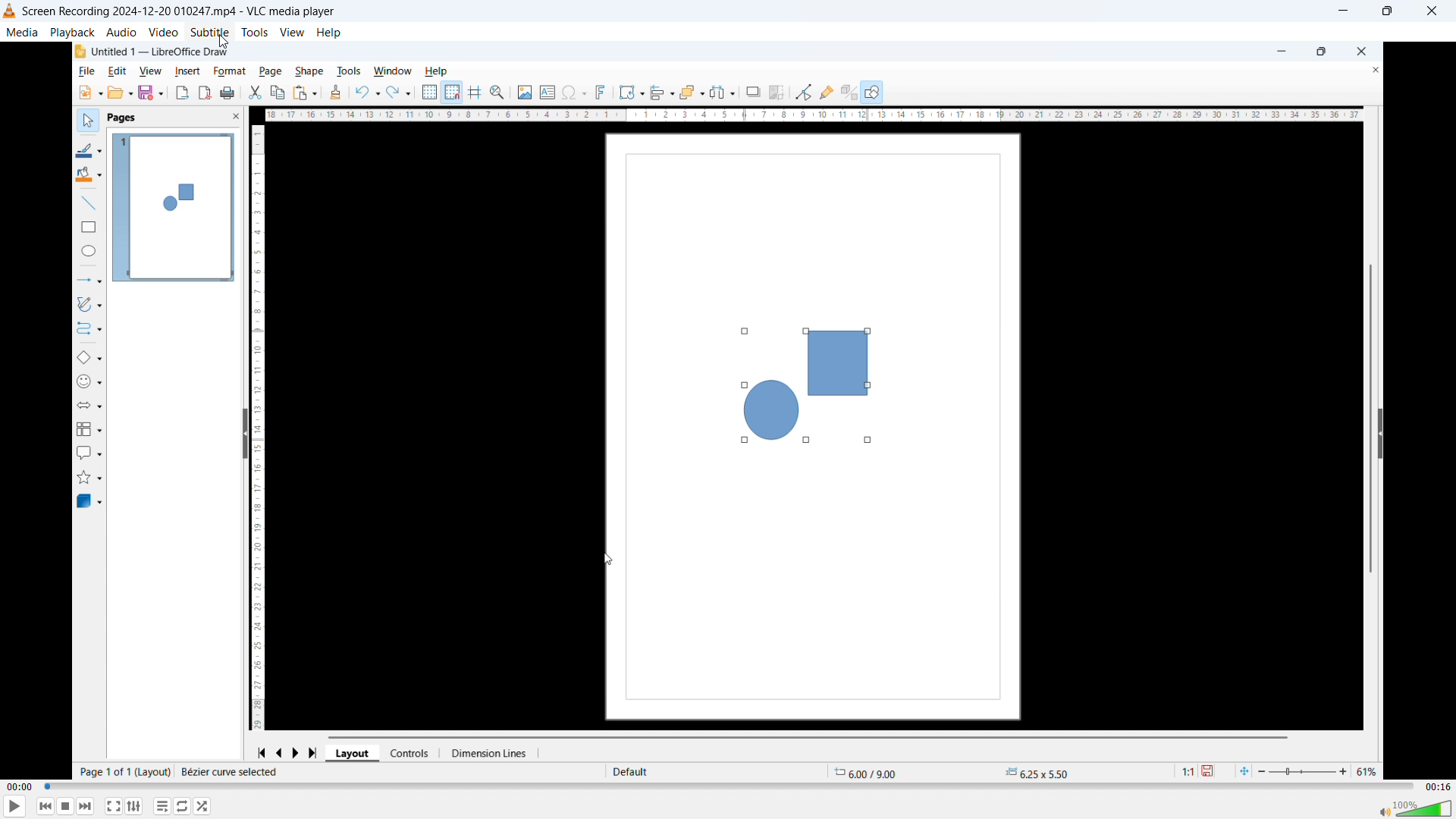  What do you see at coordinates (86, 253) in the screenshot?
I see `elipse` at bounding box center [86, 253].